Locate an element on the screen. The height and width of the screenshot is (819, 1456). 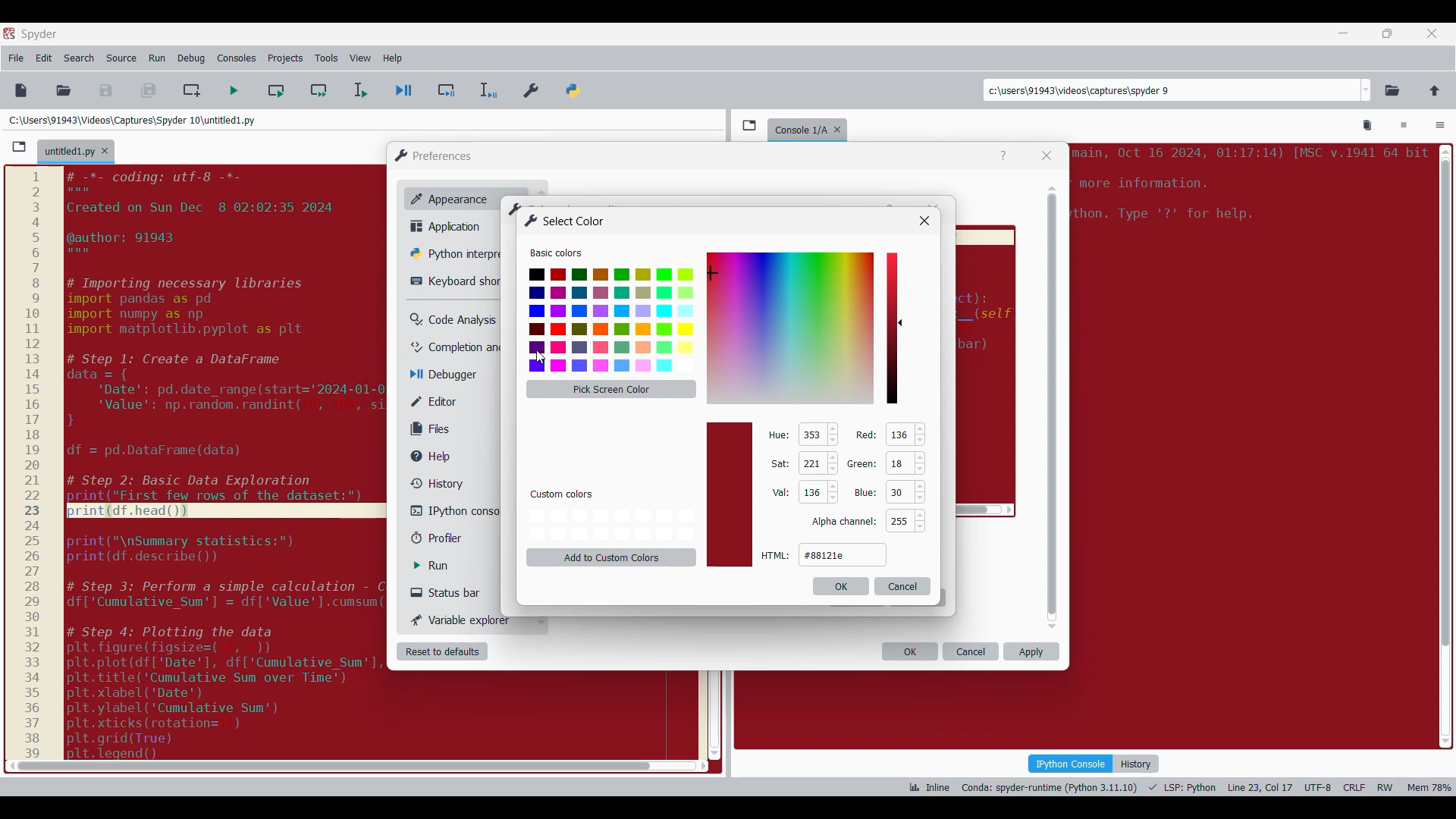
Code details is located at coordinates (1178, 787).